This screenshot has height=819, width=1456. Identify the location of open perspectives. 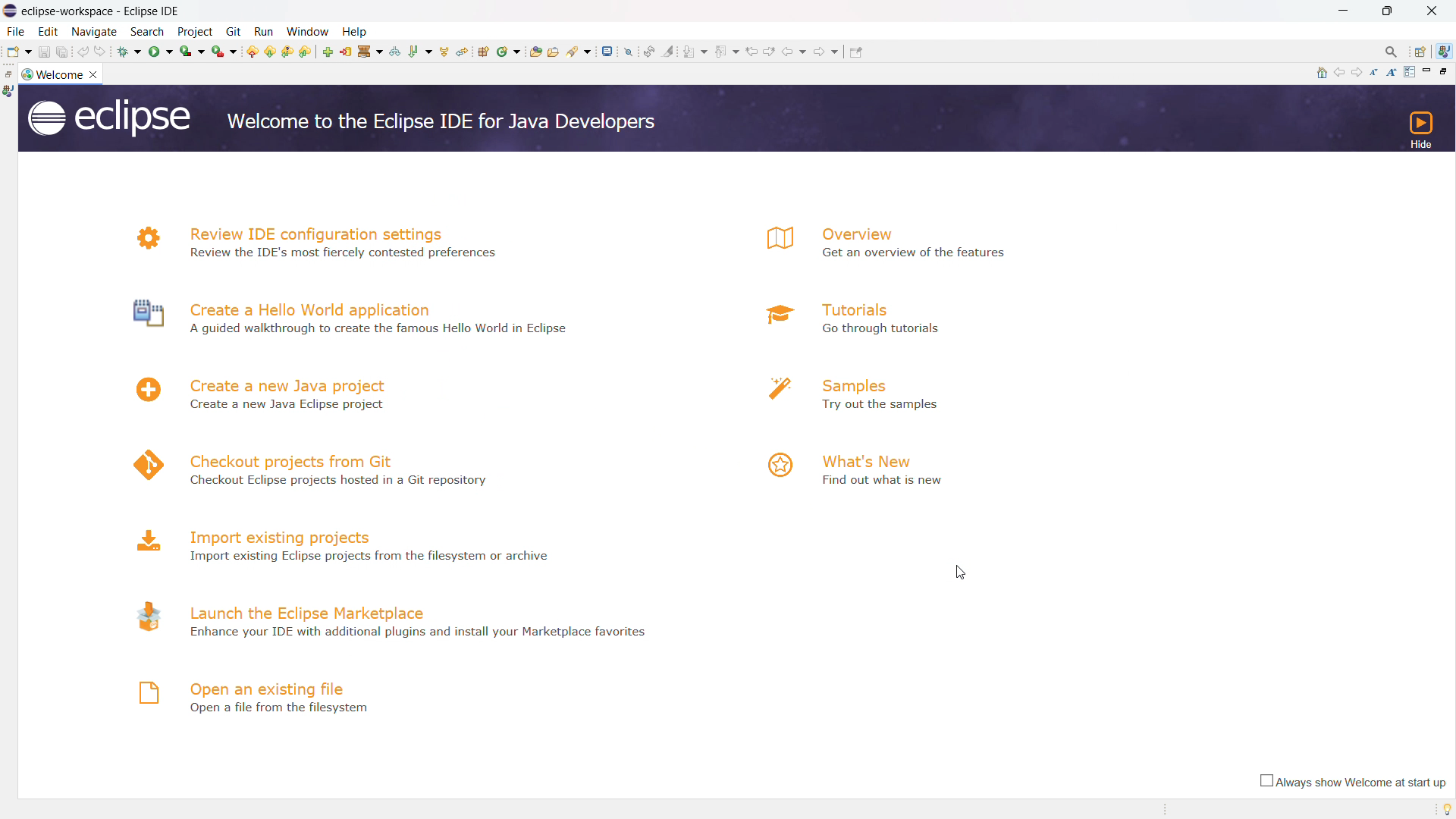
(1420, 52).